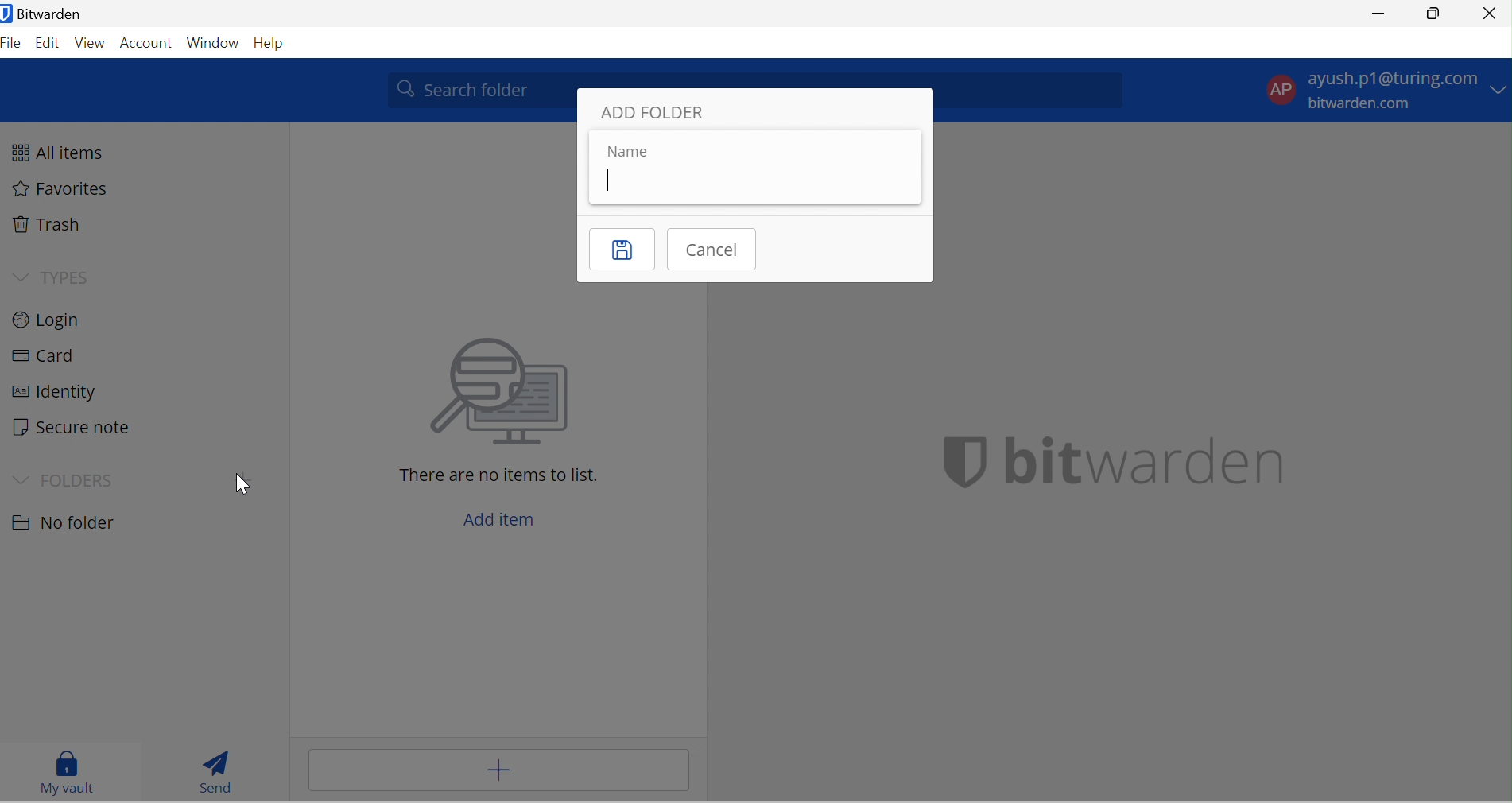 Image resolution: width=1512 pixels, height=803 pixels. What do you see at coordinates (19, 479) in the screenshot?
I see `Drop Down` at bounding box center [19, 479].